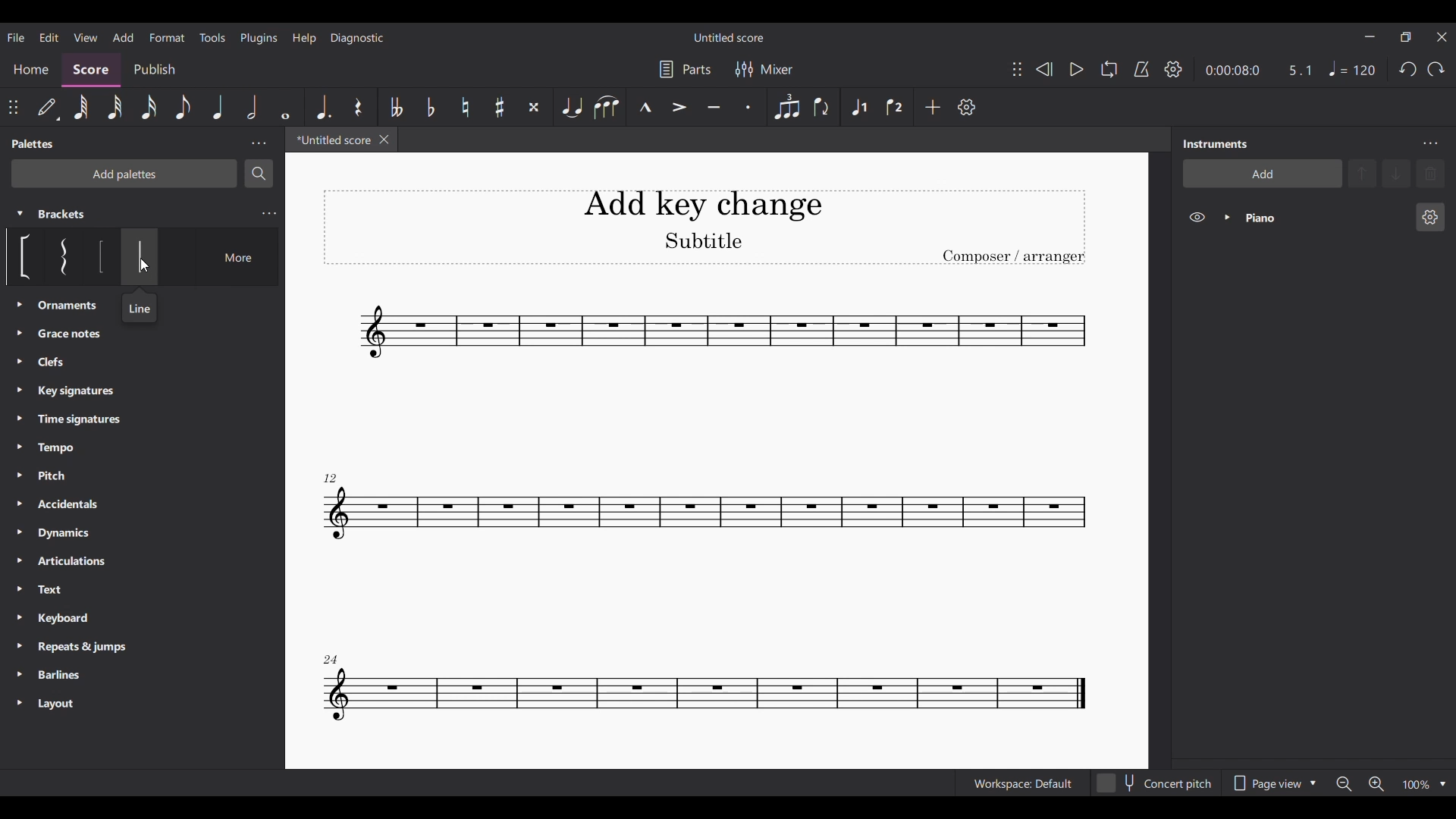  I want to click on Toggle double-sharp, so click(534, 108).